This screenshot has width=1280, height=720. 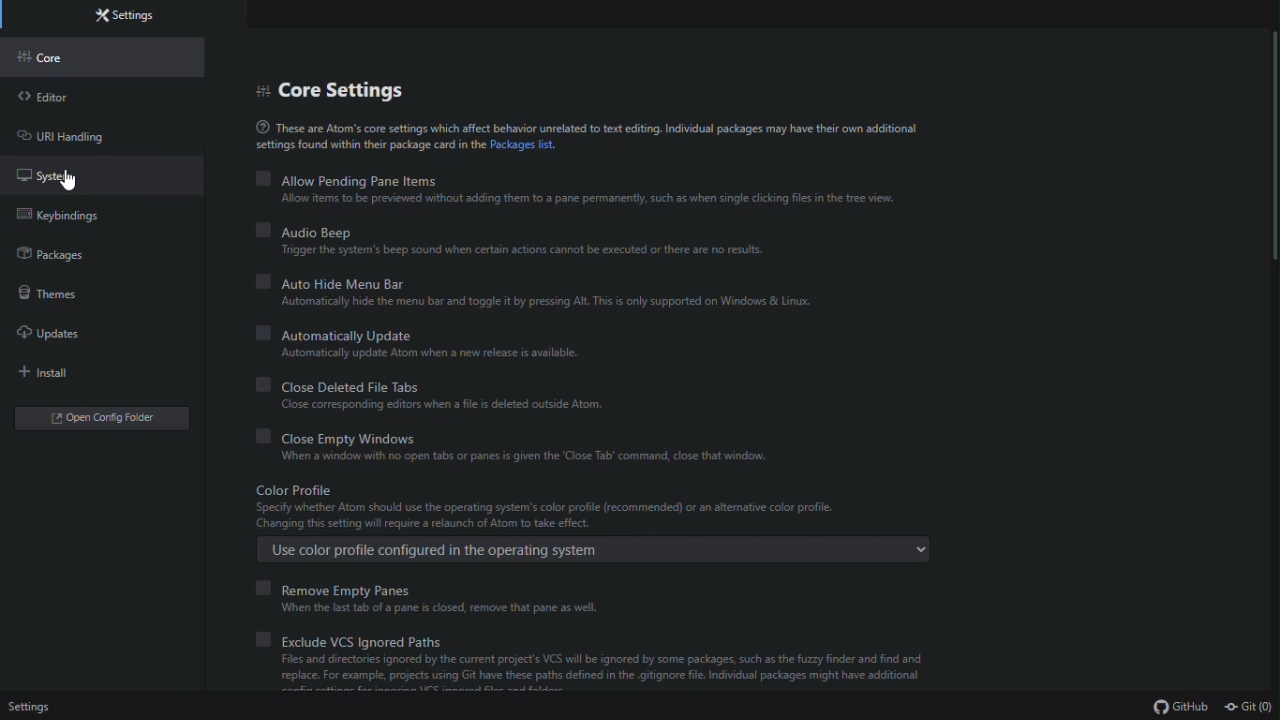 I want to click on Audio Beep, so click(x=306, y=232).